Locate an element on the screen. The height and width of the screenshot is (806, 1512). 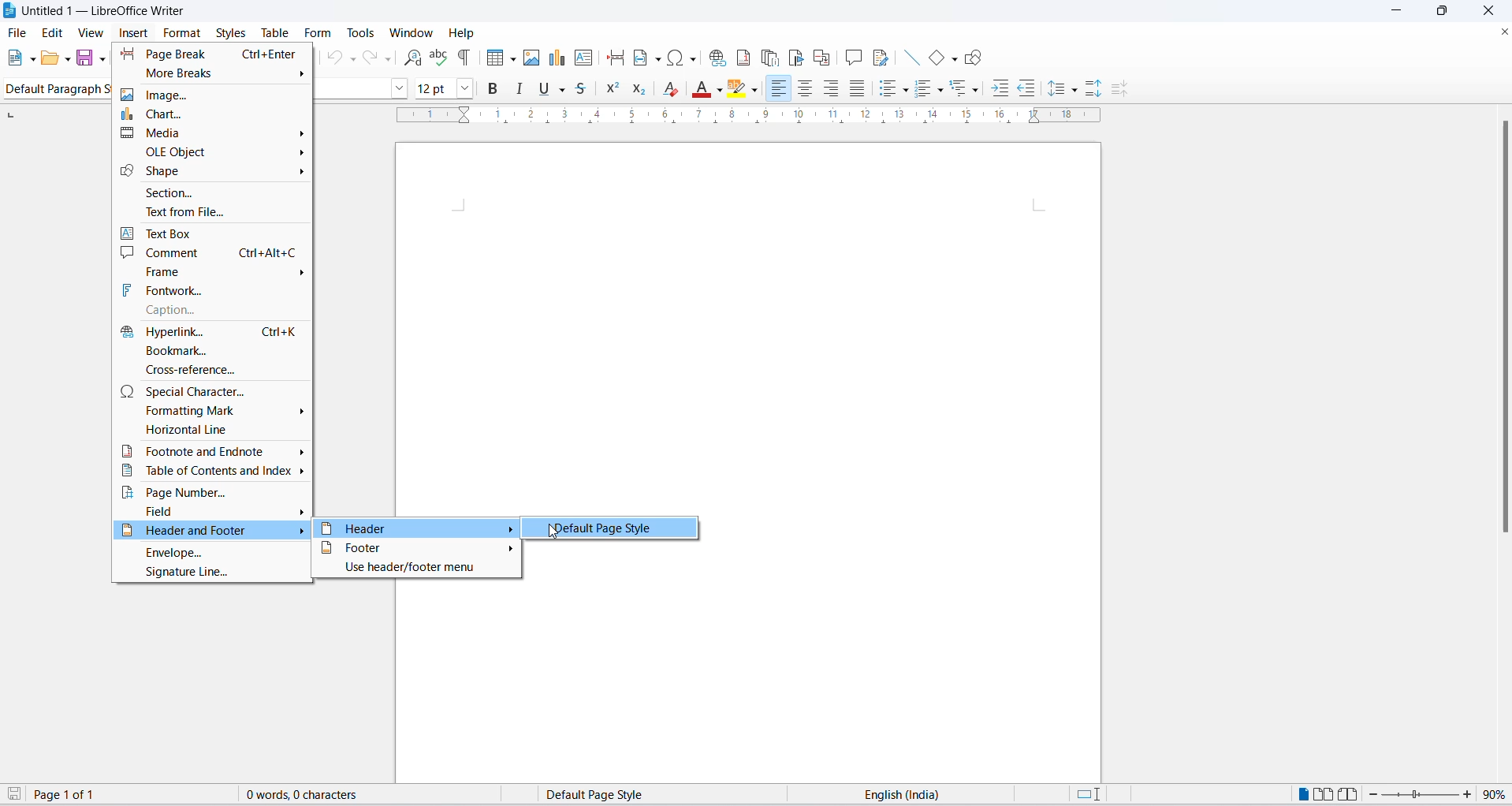
 is located at coordinates (1492, 9).